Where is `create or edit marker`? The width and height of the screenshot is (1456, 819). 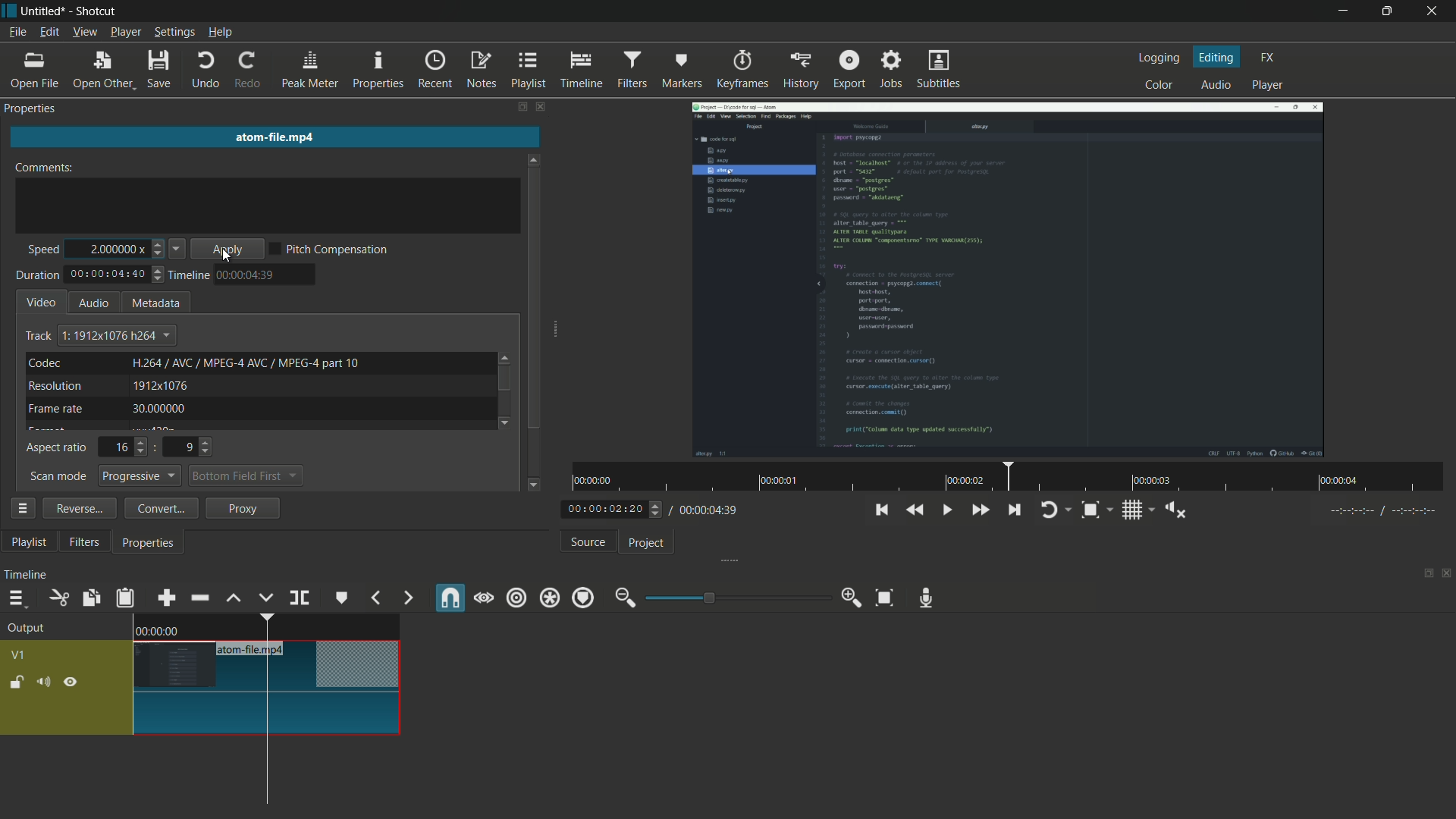 create or edit marker is located at coordinates (339, 598).